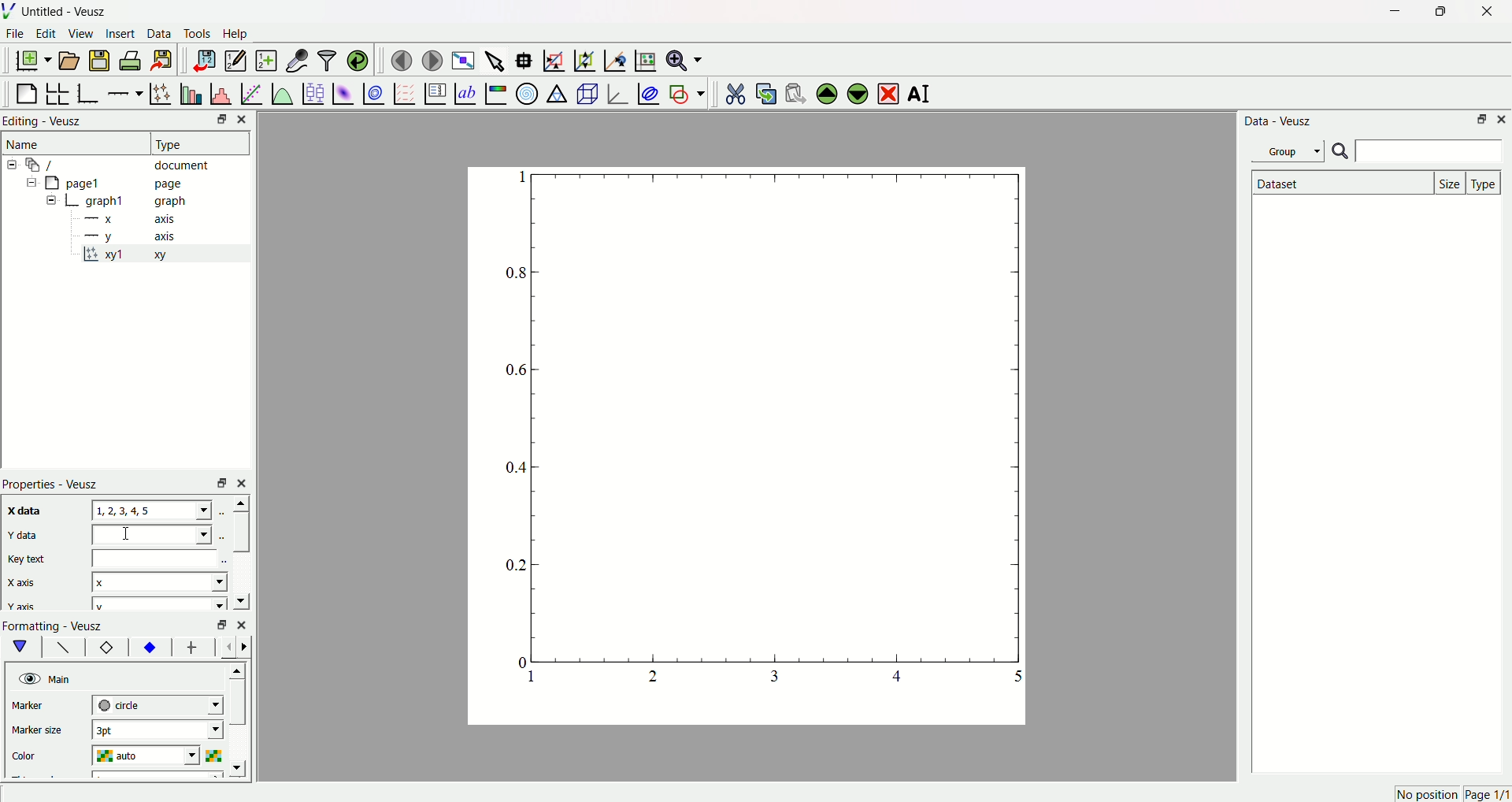  Describe the element at coordinates (888, 92) in the screenshot. I see `remove the widgets` at that location.